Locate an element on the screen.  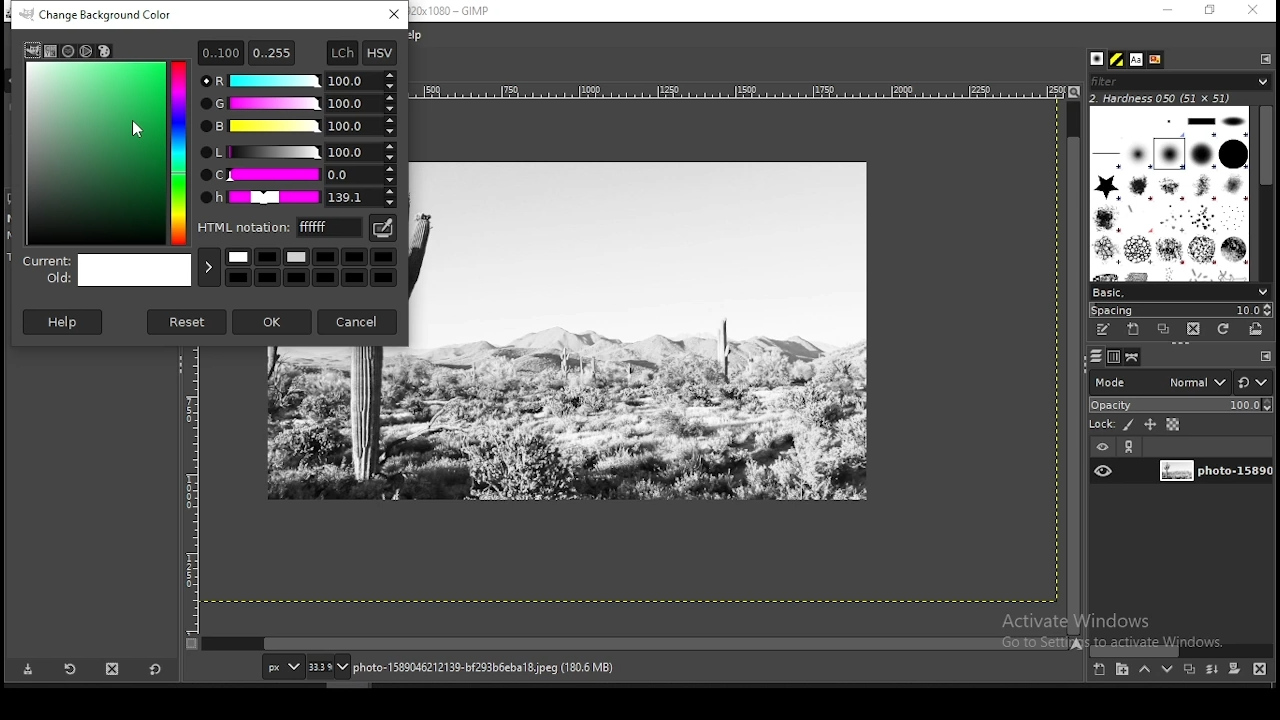
ok is located at coordinates (273, 322).